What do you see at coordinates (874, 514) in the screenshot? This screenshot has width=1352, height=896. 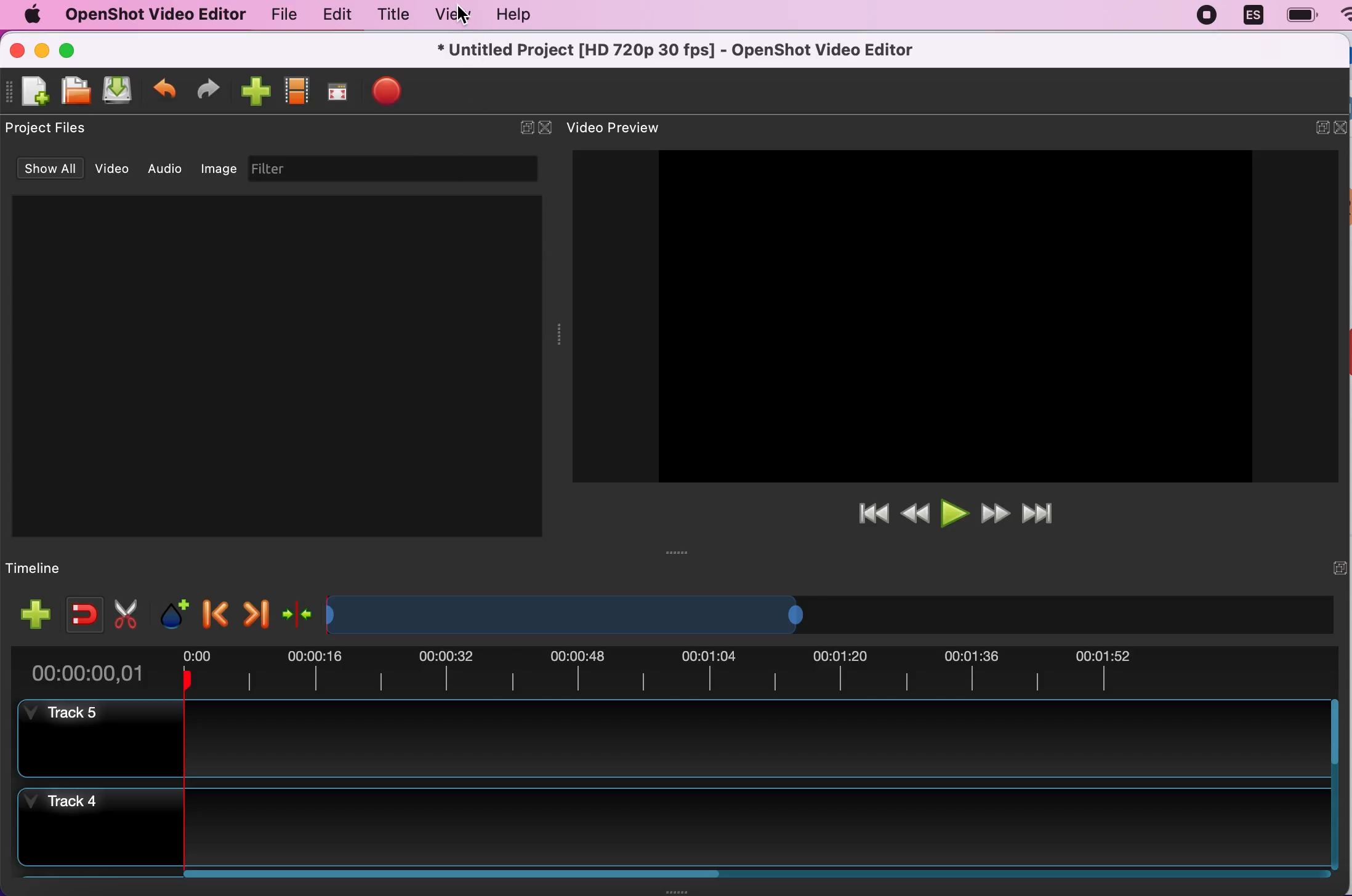 I see `jump to start` at bounding box center [874, 514].